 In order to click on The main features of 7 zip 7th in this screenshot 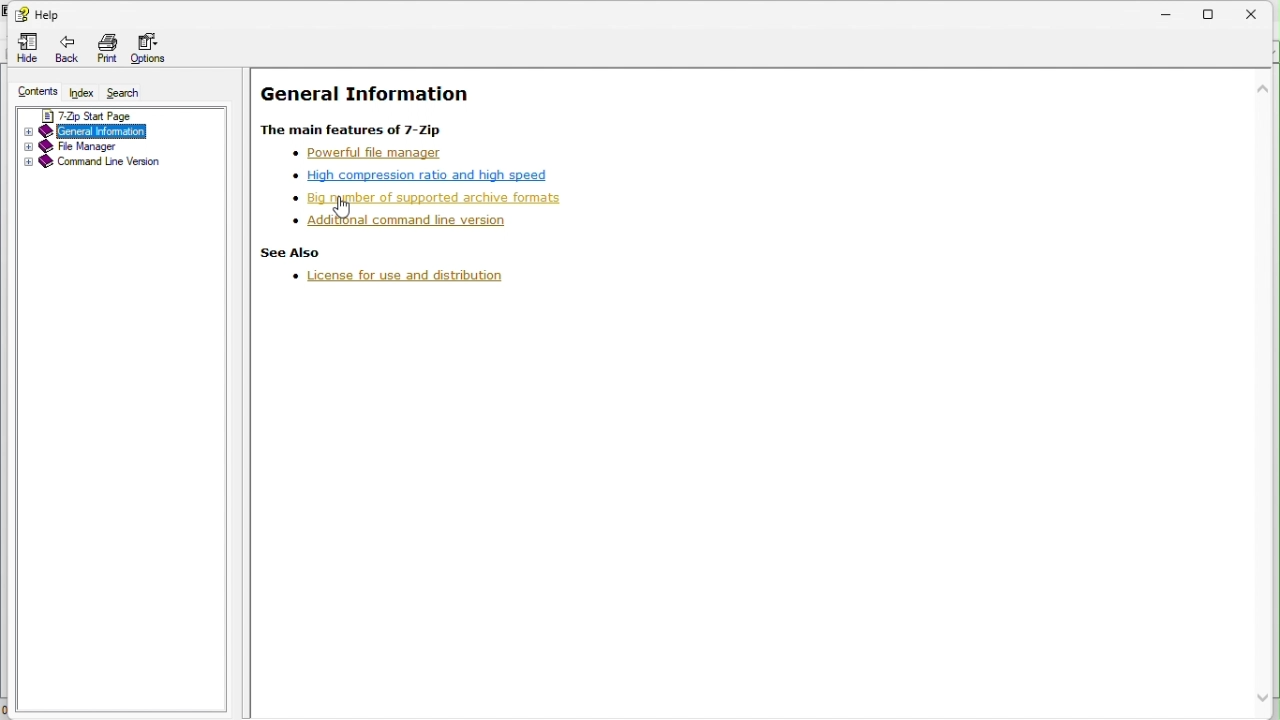, I will do `click(356, 131)`.